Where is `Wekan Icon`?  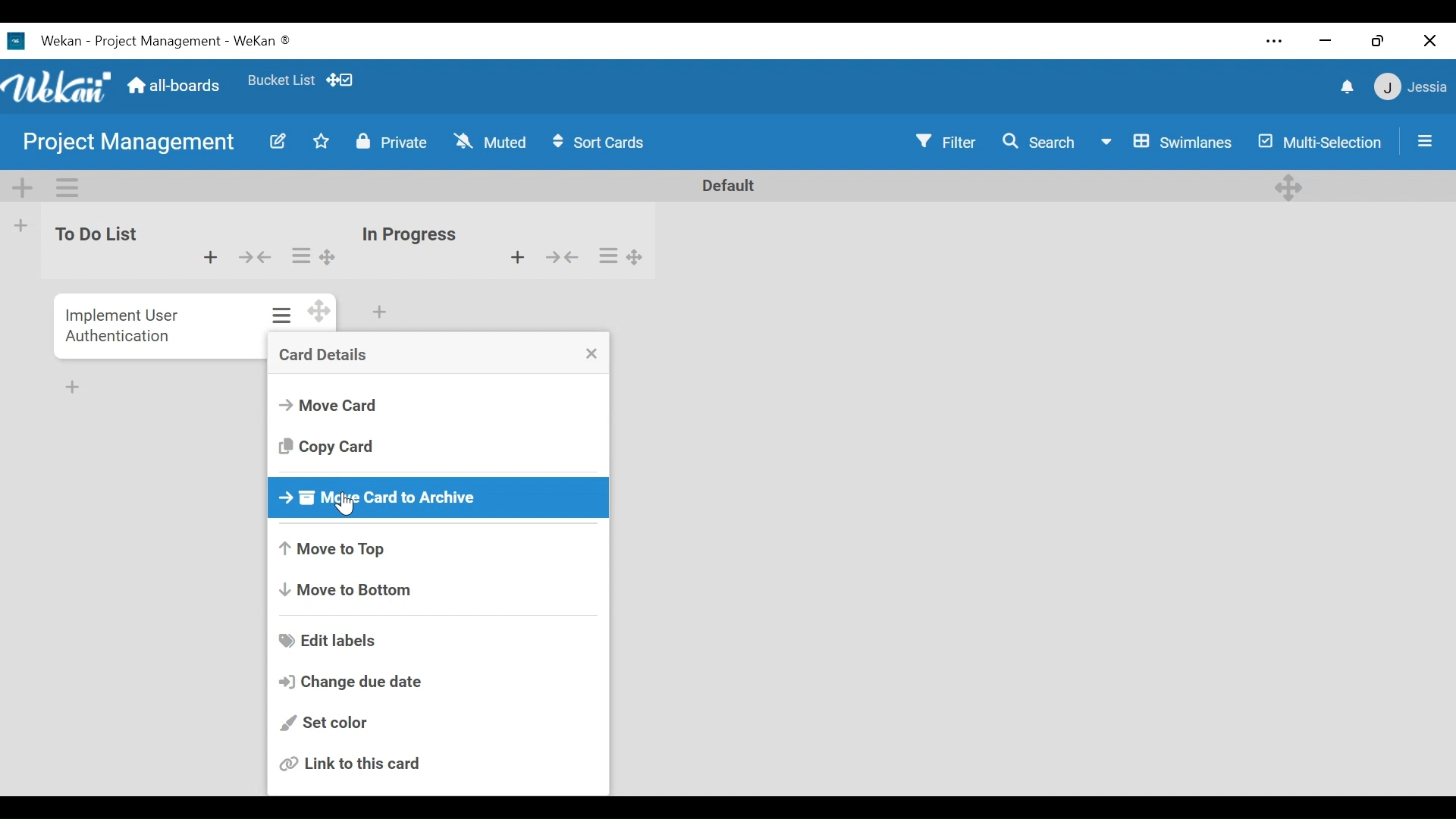
Wekan Icon is located at coordinates (61, 86).